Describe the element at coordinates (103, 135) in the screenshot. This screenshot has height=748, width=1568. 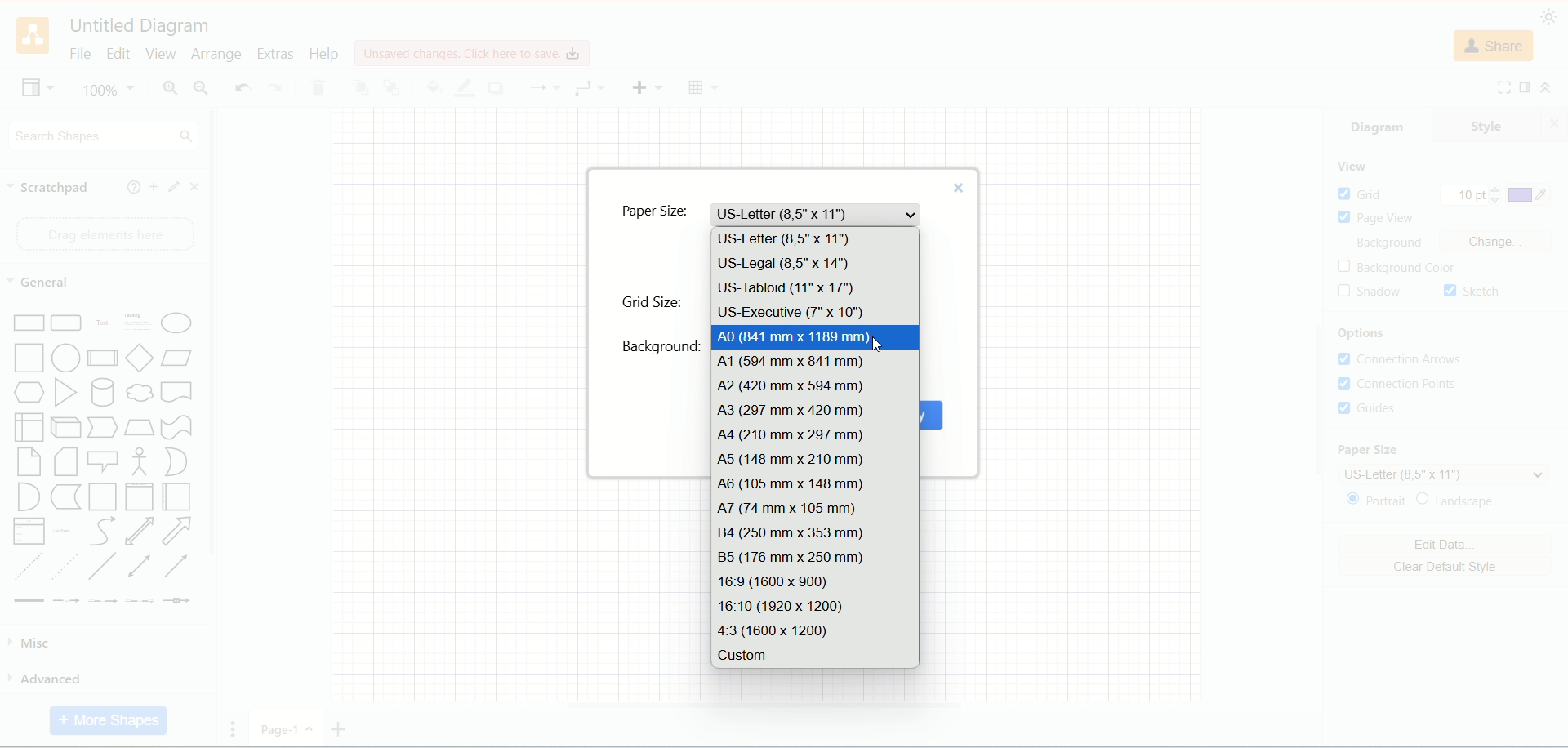
I see `search shapes` at that location.